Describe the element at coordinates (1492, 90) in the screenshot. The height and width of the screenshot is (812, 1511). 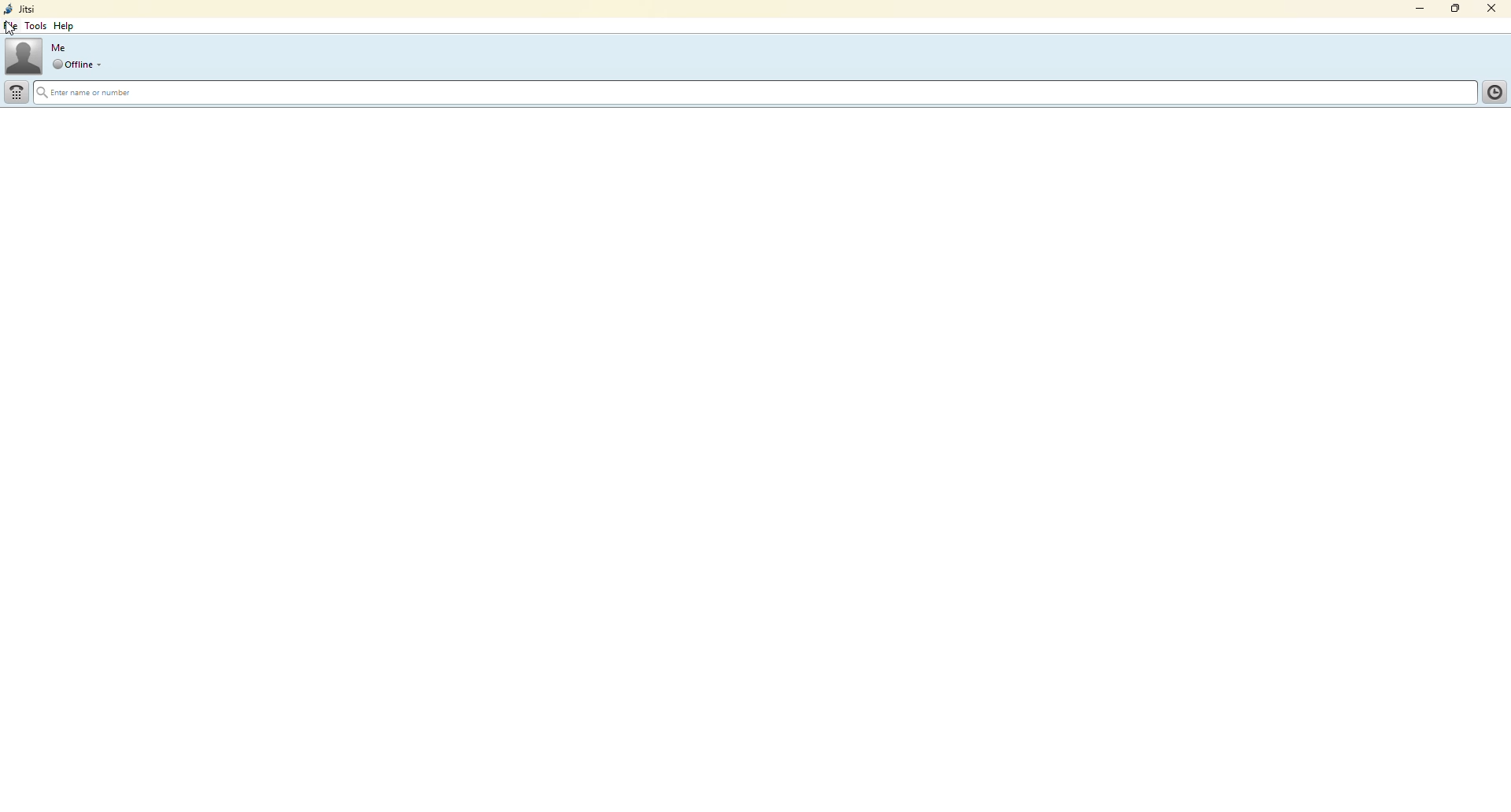
I see `History` at that location.